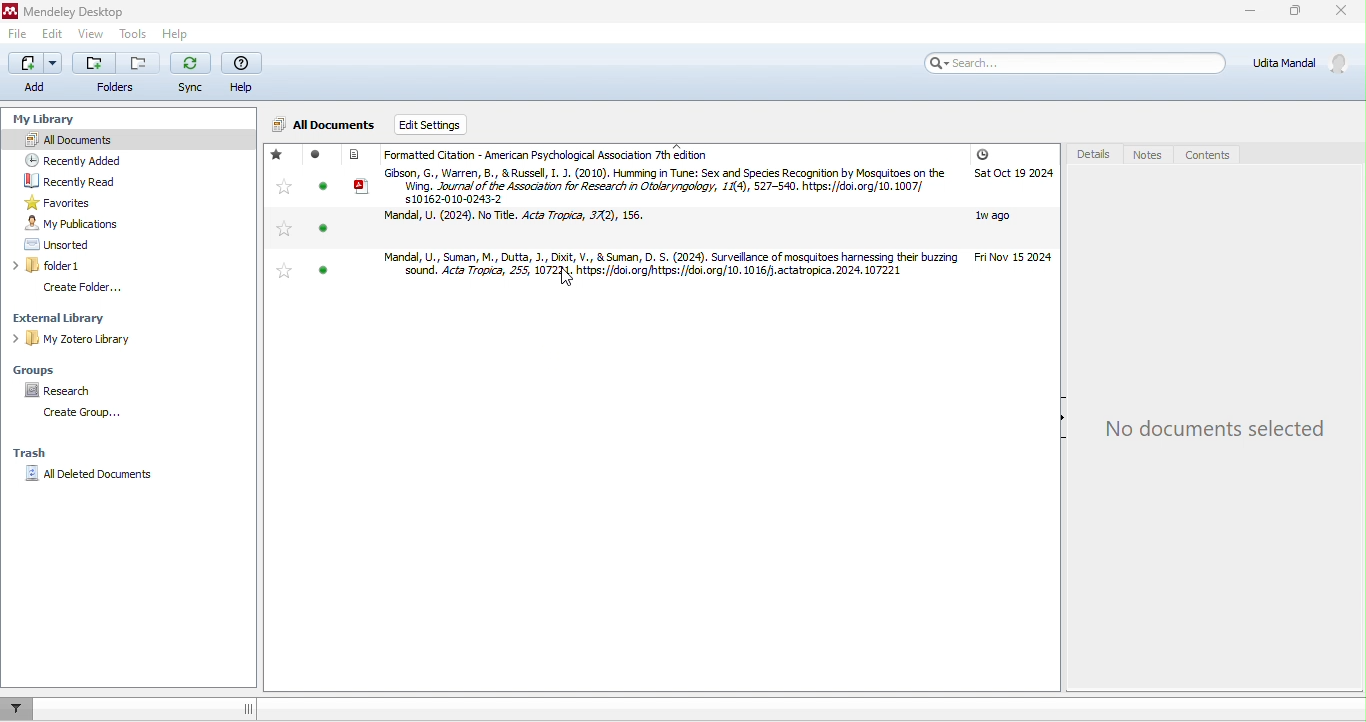 This screenshot has width=1366, height=722. Describe the element at coordinates (20, 37) in the screenshot. I see `file` at that location.